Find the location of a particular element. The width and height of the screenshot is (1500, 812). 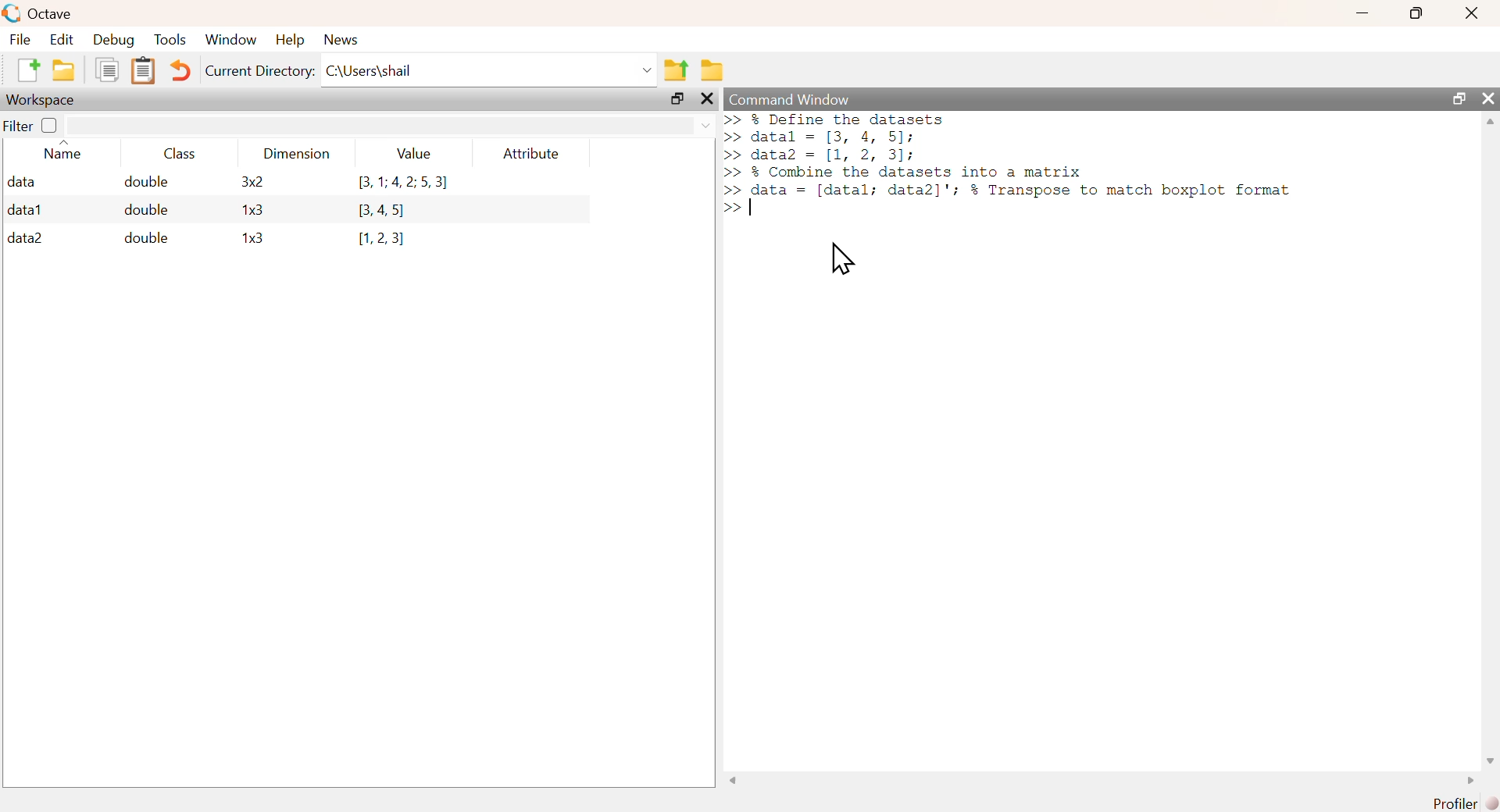

3x2 is located at coordinates (252, 181).